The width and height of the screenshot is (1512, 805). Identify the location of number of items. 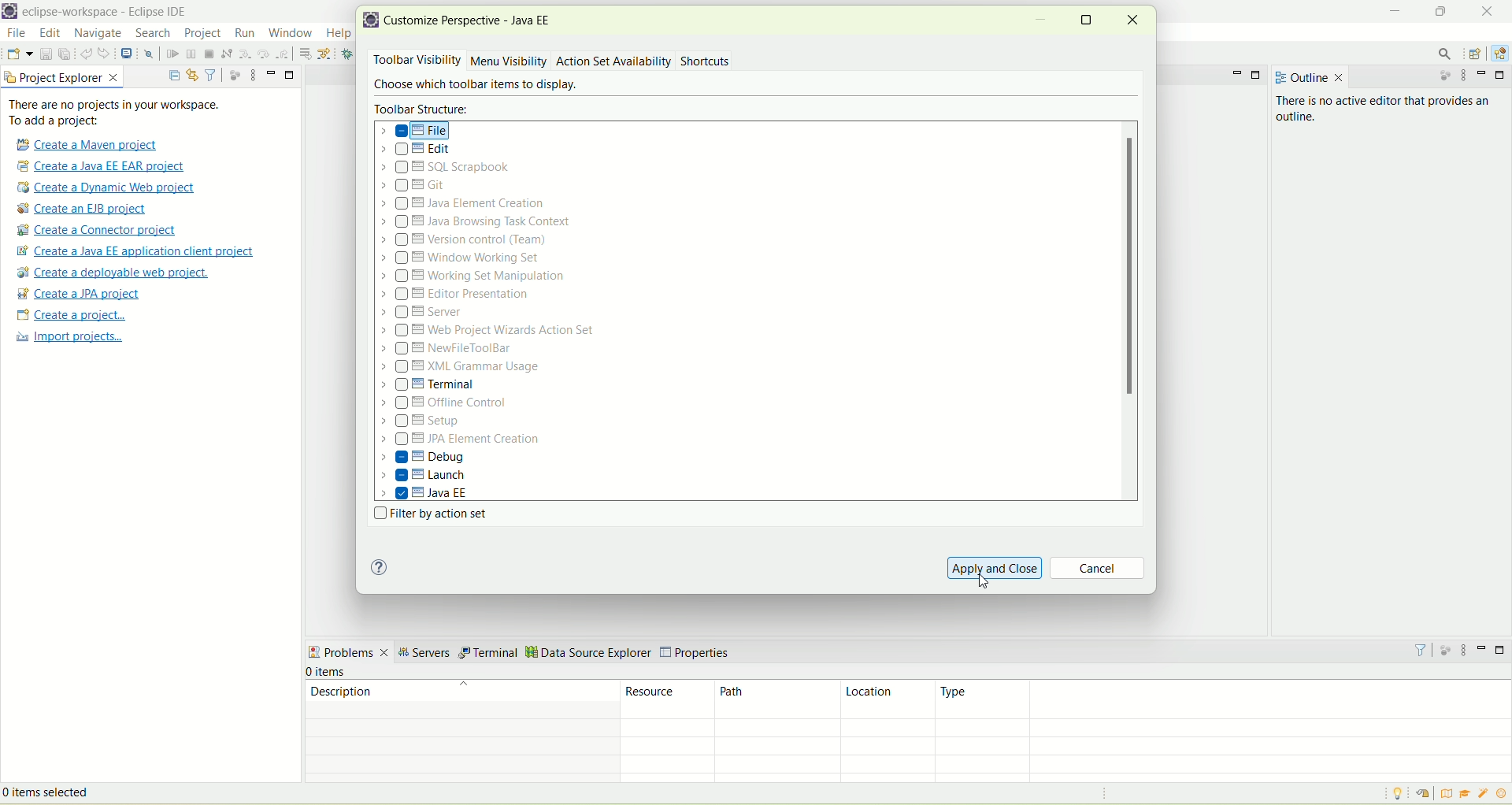
(339, 672).